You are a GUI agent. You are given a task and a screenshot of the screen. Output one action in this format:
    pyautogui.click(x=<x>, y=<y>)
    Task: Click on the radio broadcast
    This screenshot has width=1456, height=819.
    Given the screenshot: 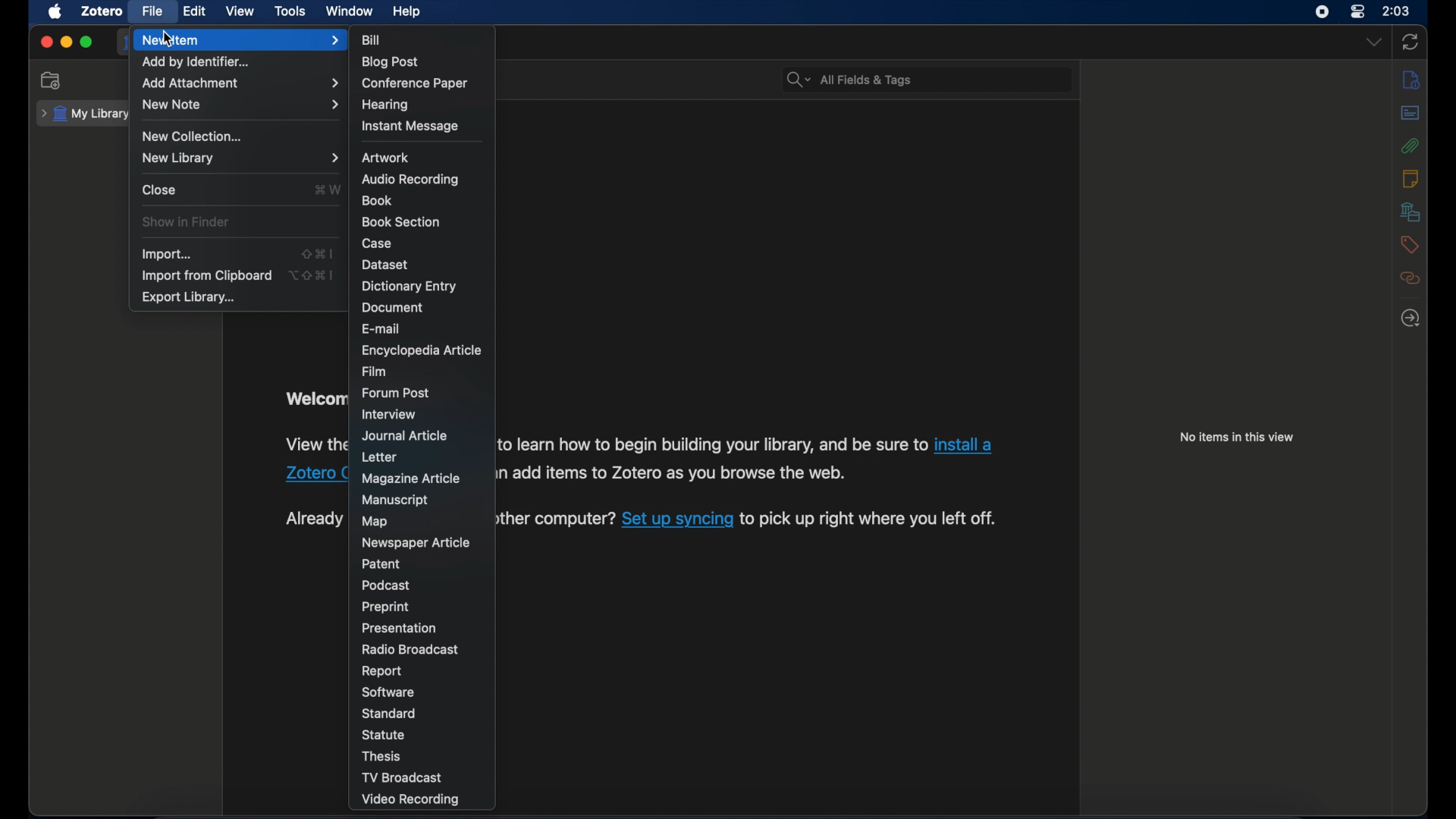 What is the action you would take?
    pyautogui.click(x=408, y=649)
    